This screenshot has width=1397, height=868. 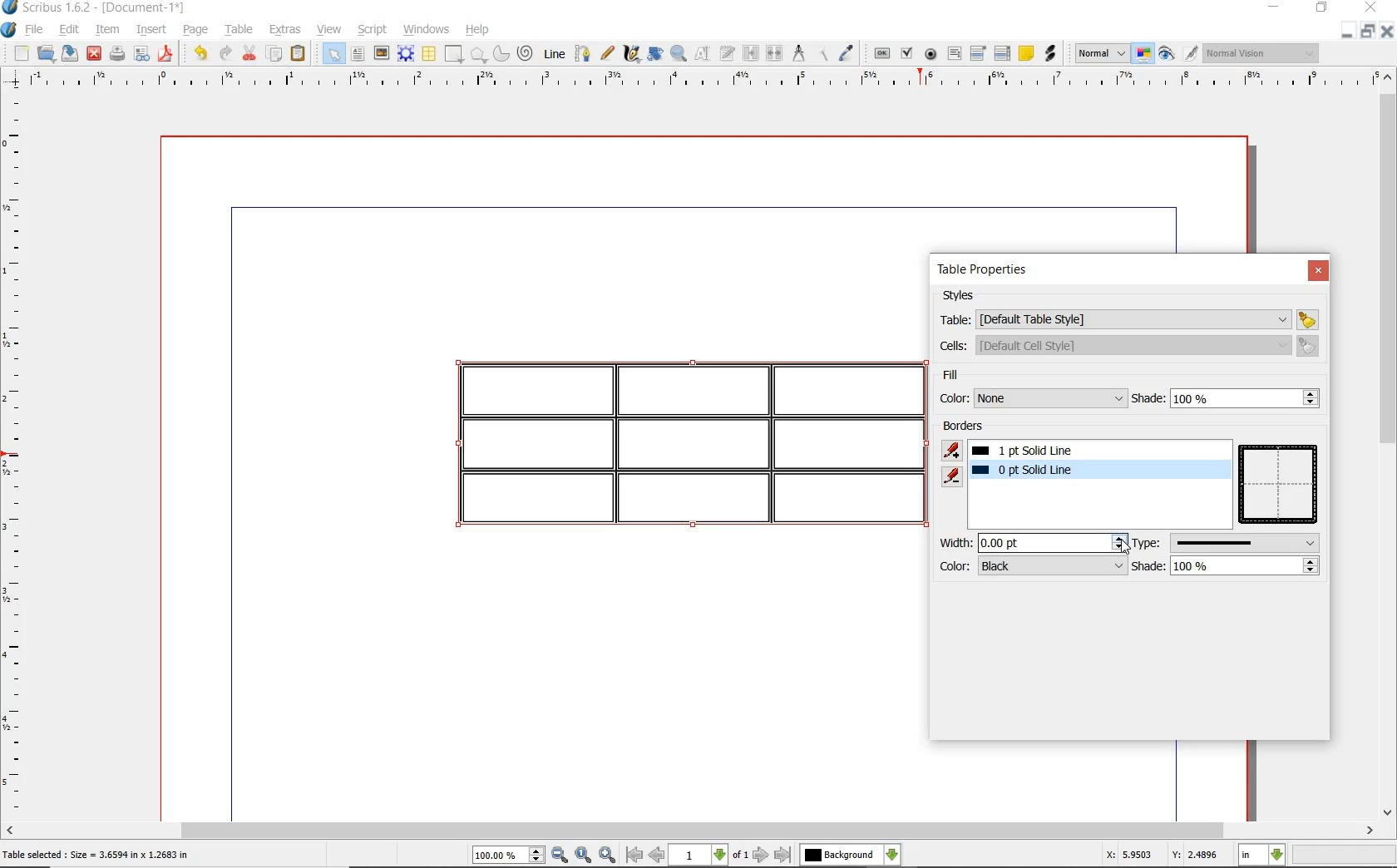 What do you see at coordinates (1030, 398) in the screenshot?
I see `color` at bounding box center [1030, 398].